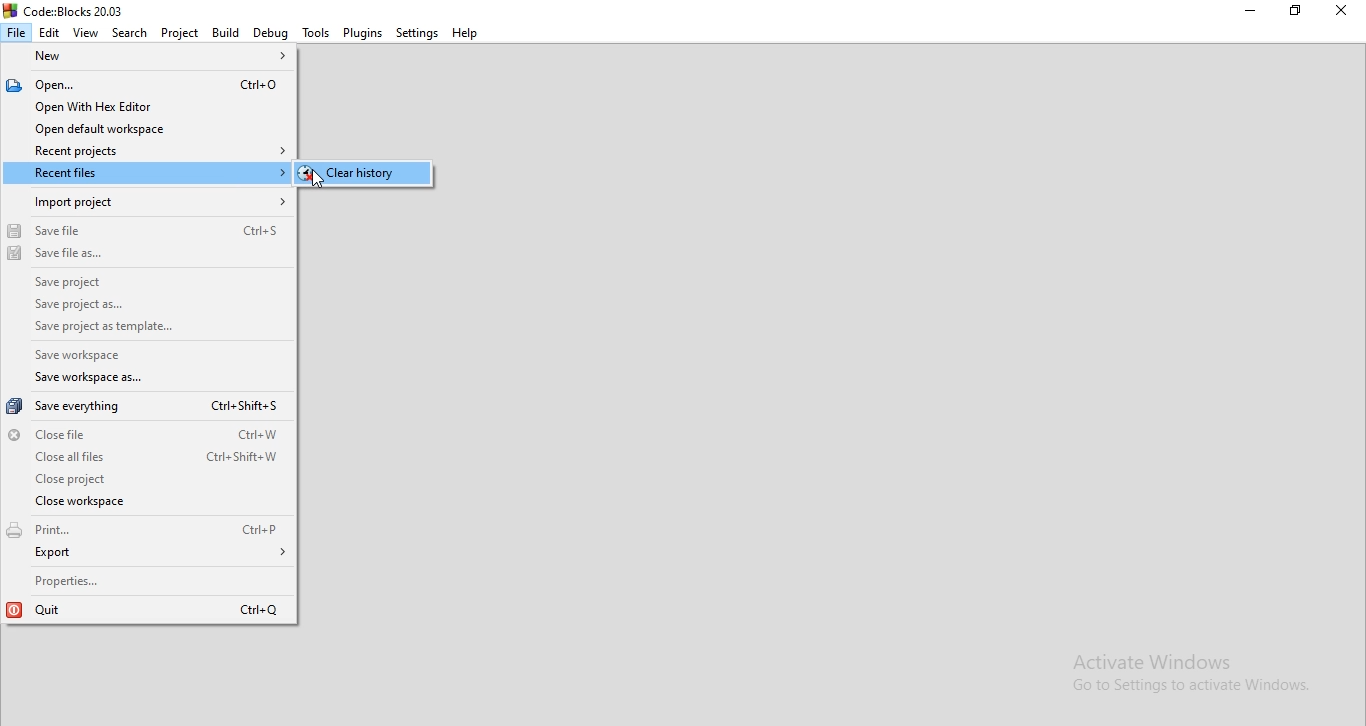 The width and height of the screenshot is (1366, 726). I want to click on Close Project, so click(143, 479).